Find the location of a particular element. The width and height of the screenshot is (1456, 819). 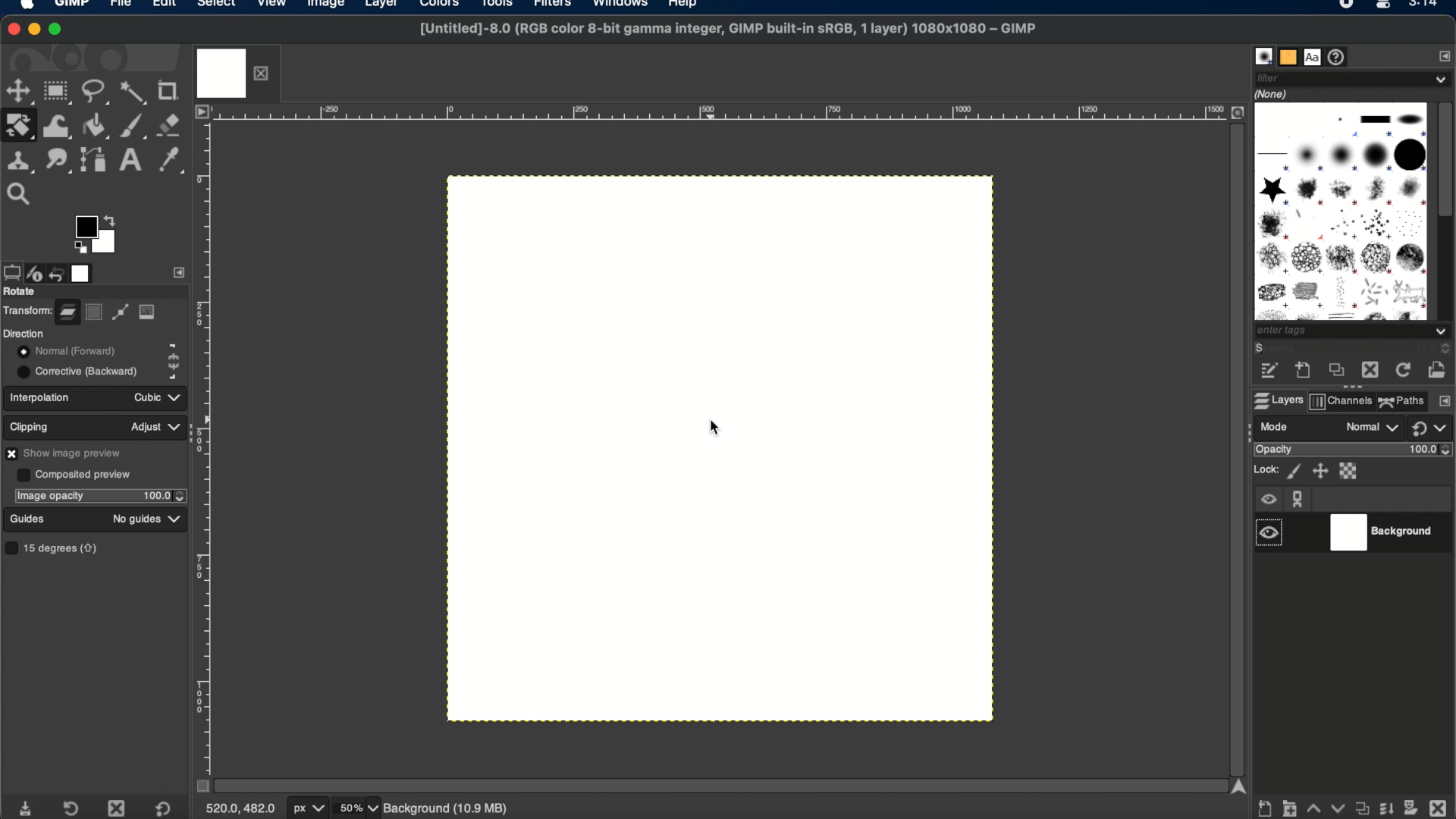

undo history is located at coordinates (58, 271).